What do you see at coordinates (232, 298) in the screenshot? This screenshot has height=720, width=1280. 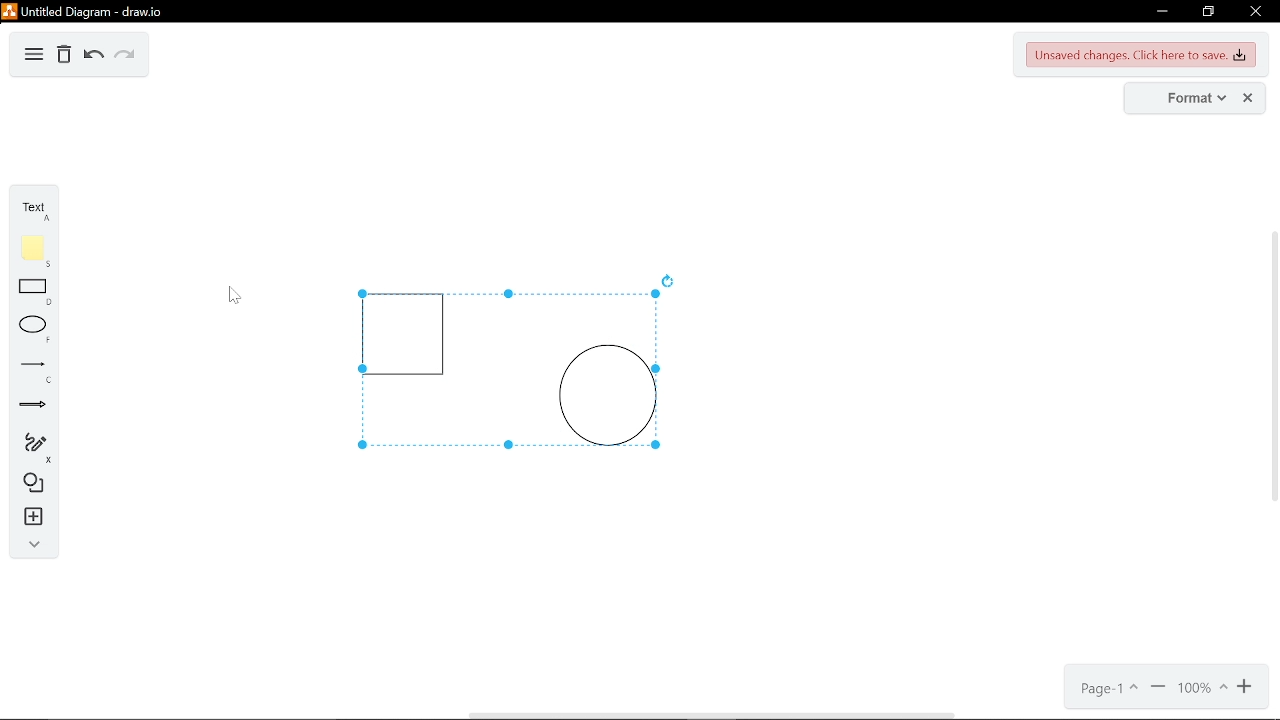 I see `Cursor` at bounding box center [232, 298].